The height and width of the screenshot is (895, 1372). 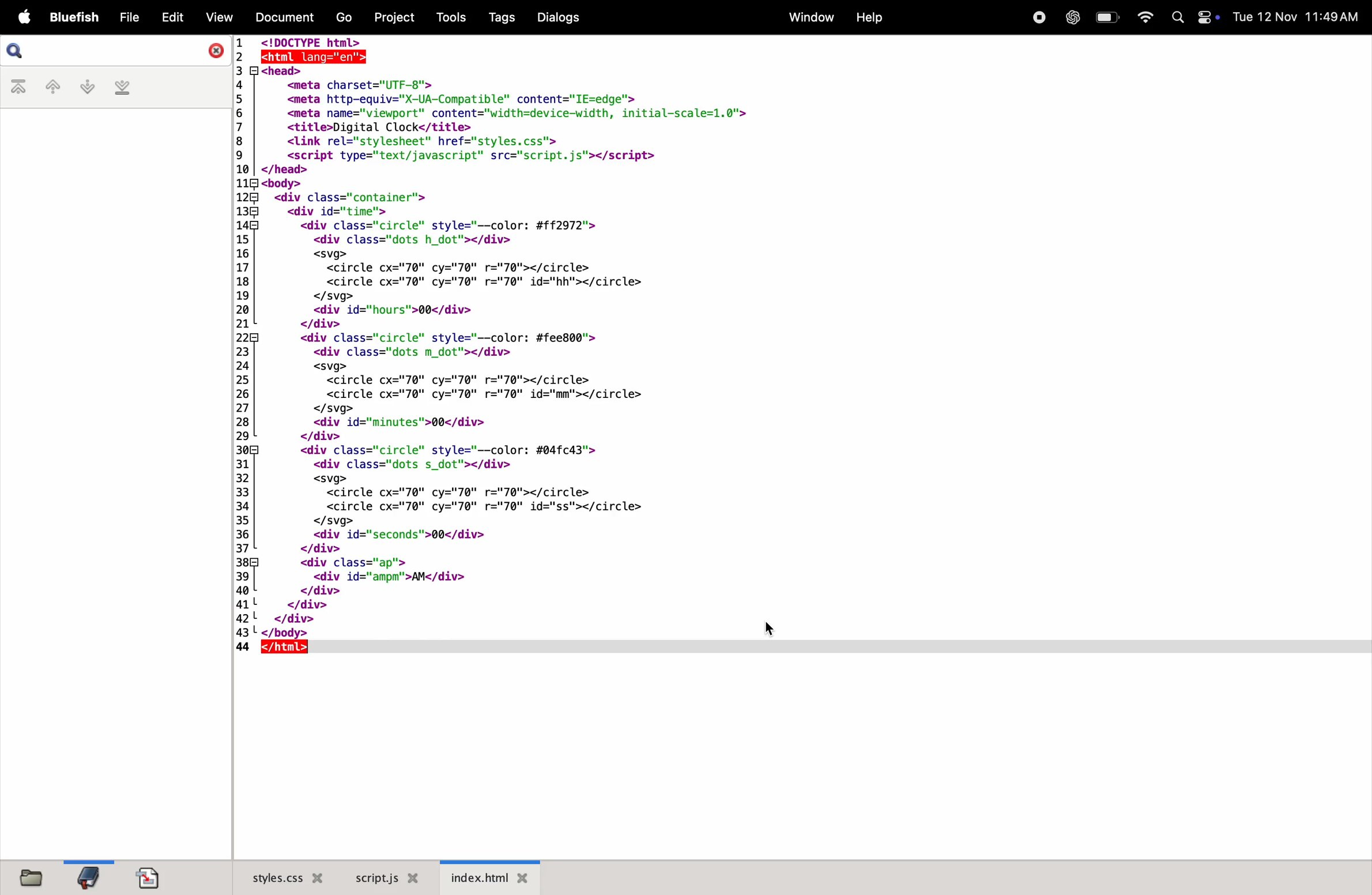 What do you see at coordinates (216, 17) in the screenshot?
I see `view` at bounding box center [216, 17].